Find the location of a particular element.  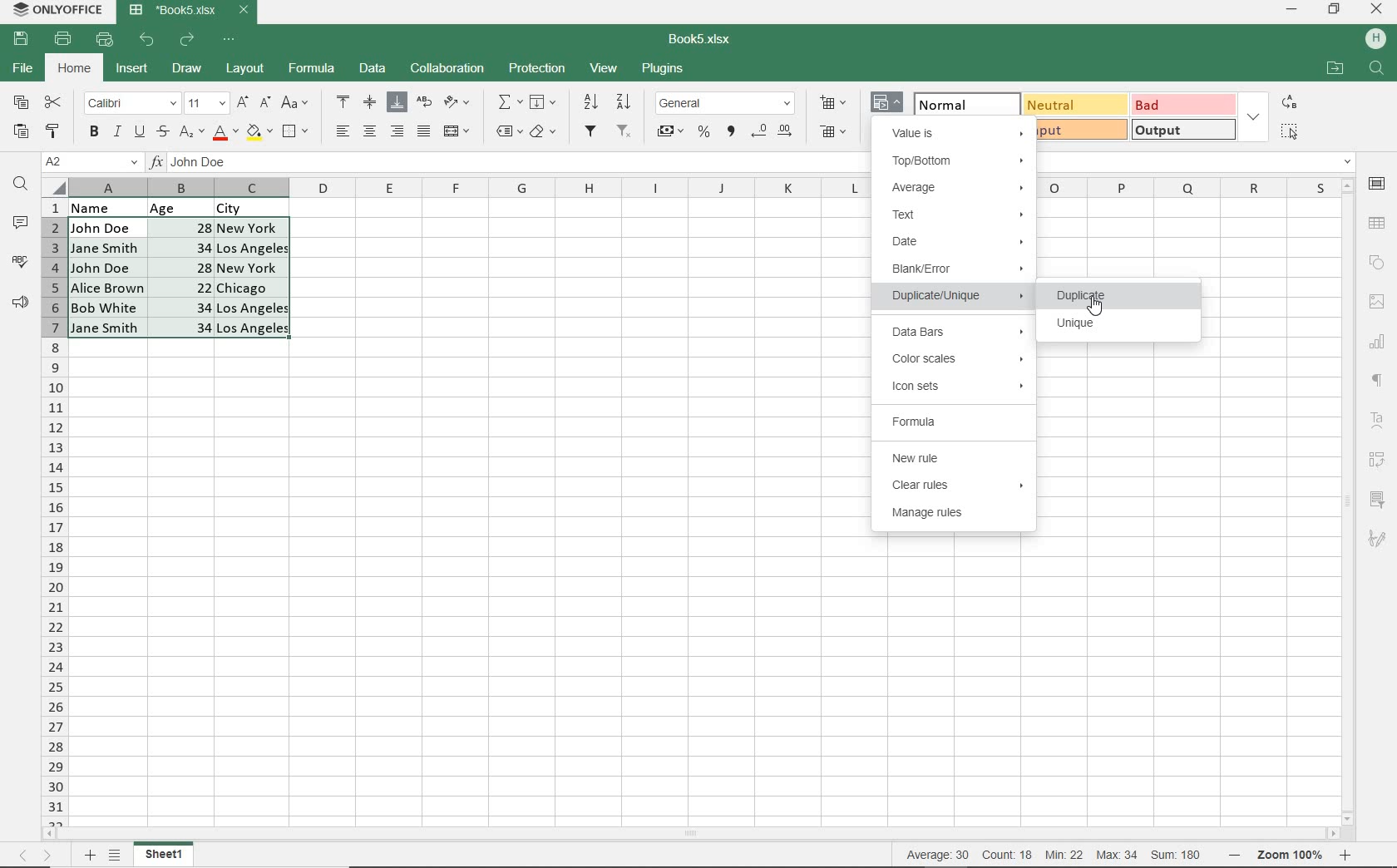

IMAGE is located at coordinates (1376, 302).